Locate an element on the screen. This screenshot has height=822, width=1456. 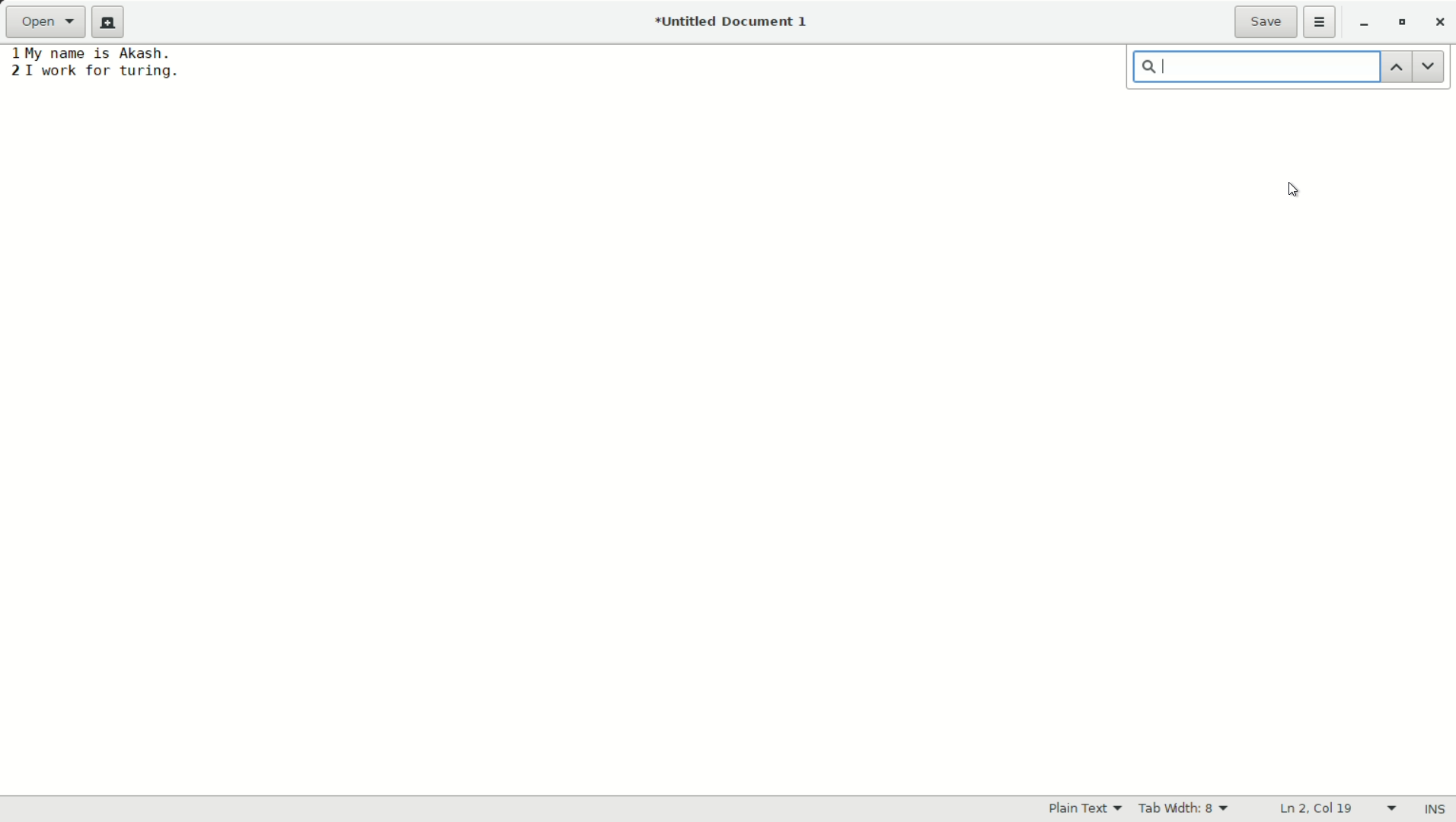
close app is located at coordinates (1438, 24).